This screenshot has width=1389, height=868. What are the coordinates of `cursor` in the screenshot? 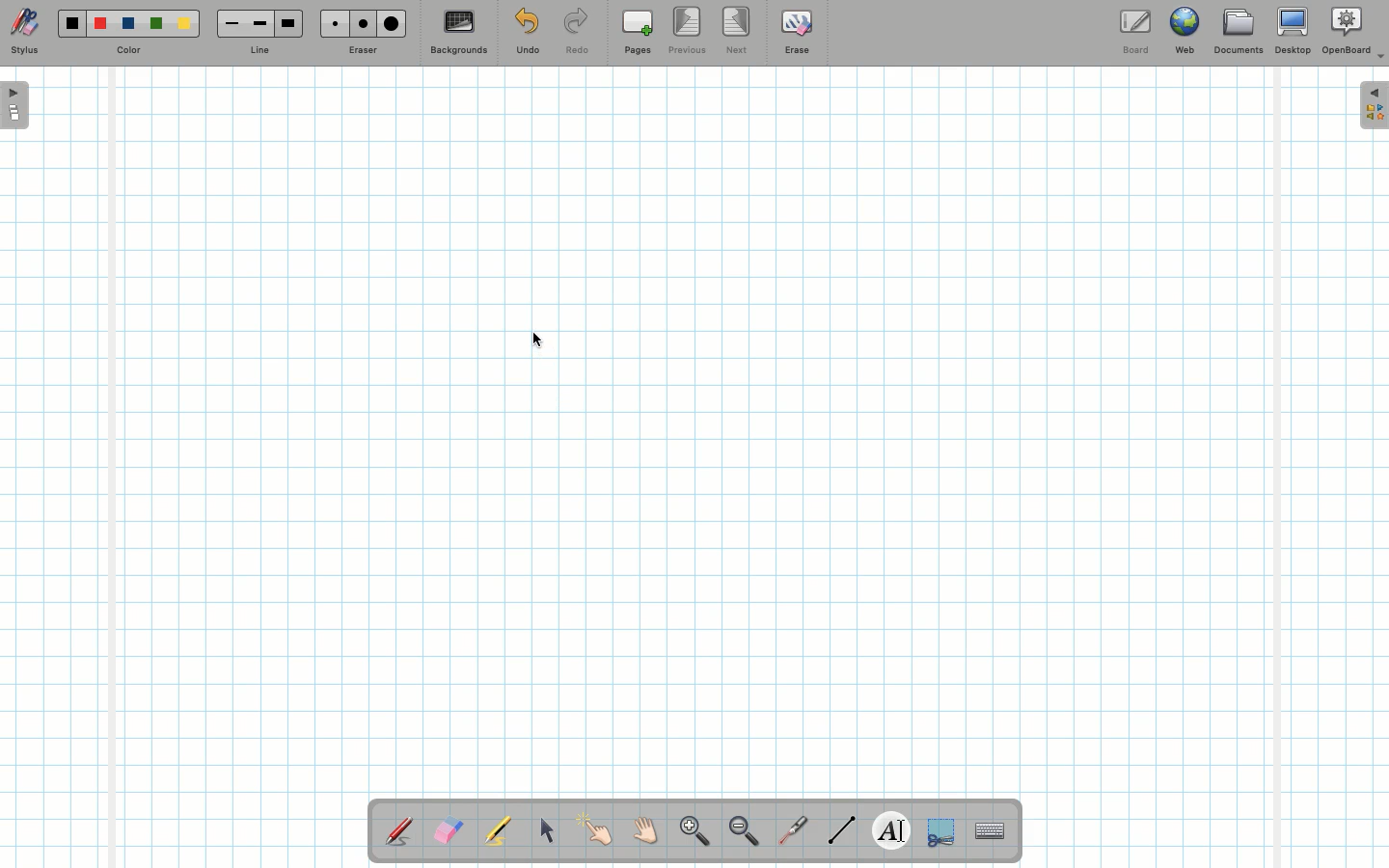 It's located at (540, 339).